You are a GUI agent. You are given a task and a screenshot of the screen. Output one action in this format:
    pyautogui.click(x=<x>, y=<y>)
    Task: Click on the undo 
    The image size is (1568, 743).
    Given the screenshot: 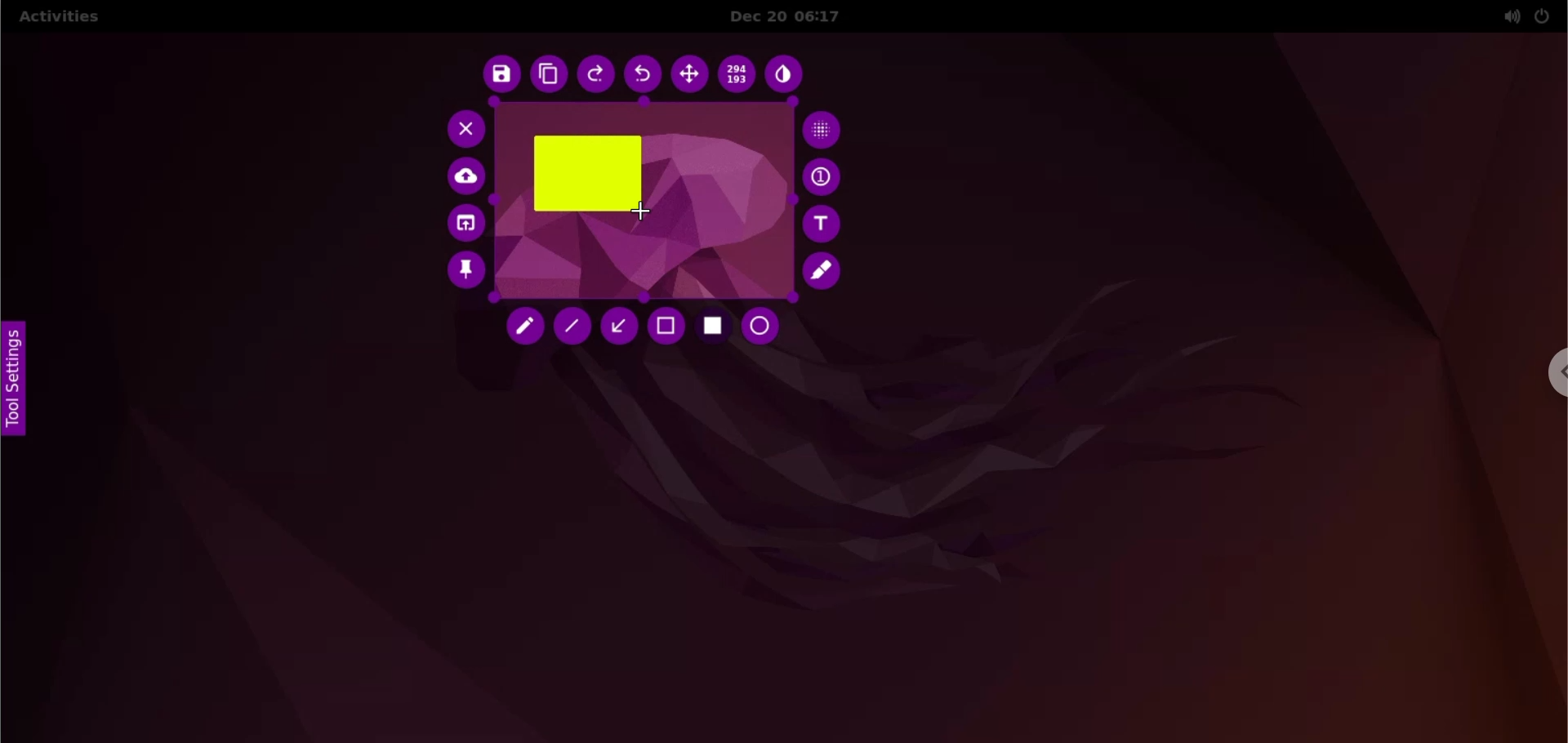 What is the action you would take?
    pyautogui.click(x=644, y=75)
    